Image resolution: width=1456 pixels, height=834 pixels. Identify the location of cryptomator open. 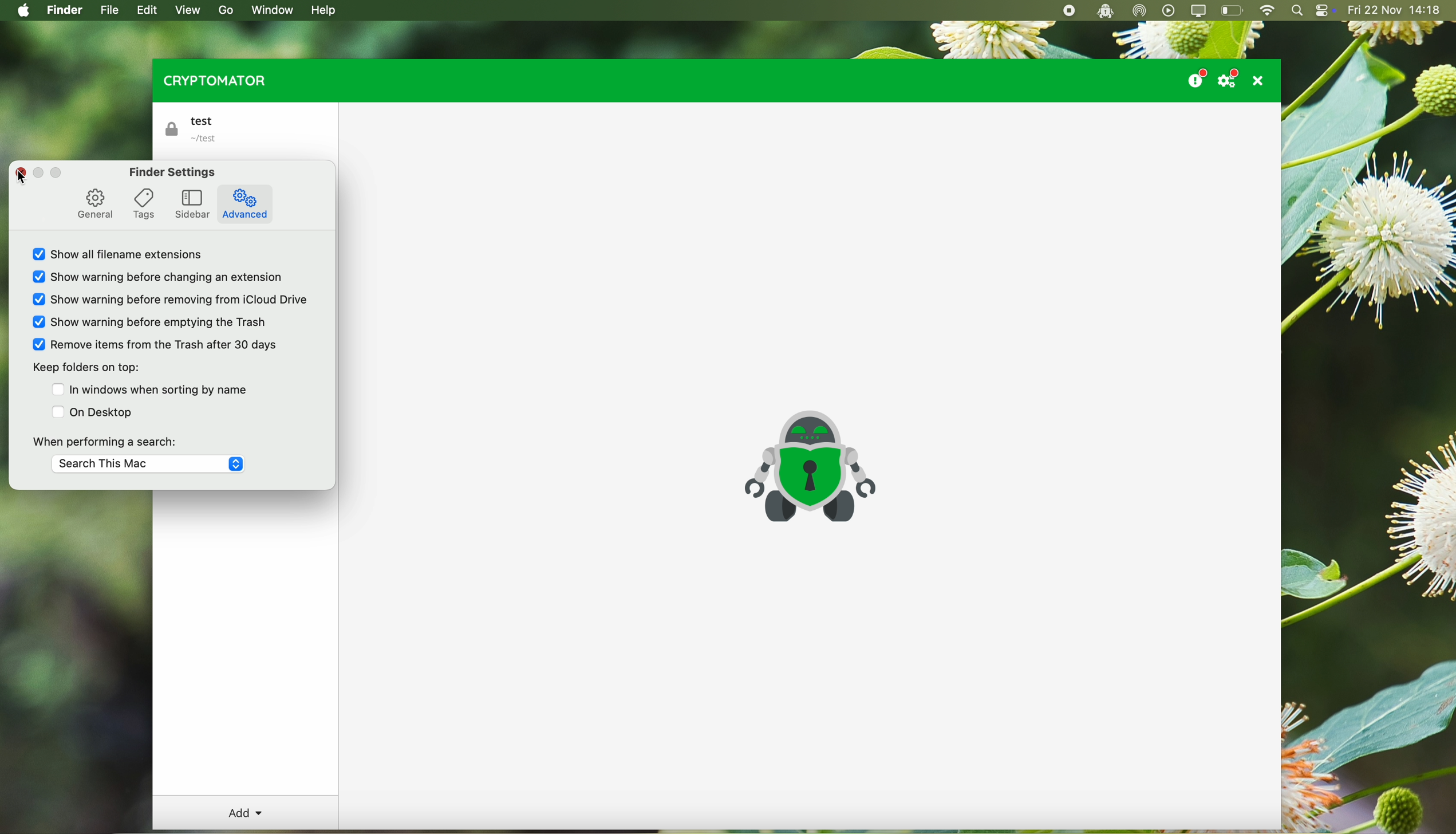
(1103, 11).